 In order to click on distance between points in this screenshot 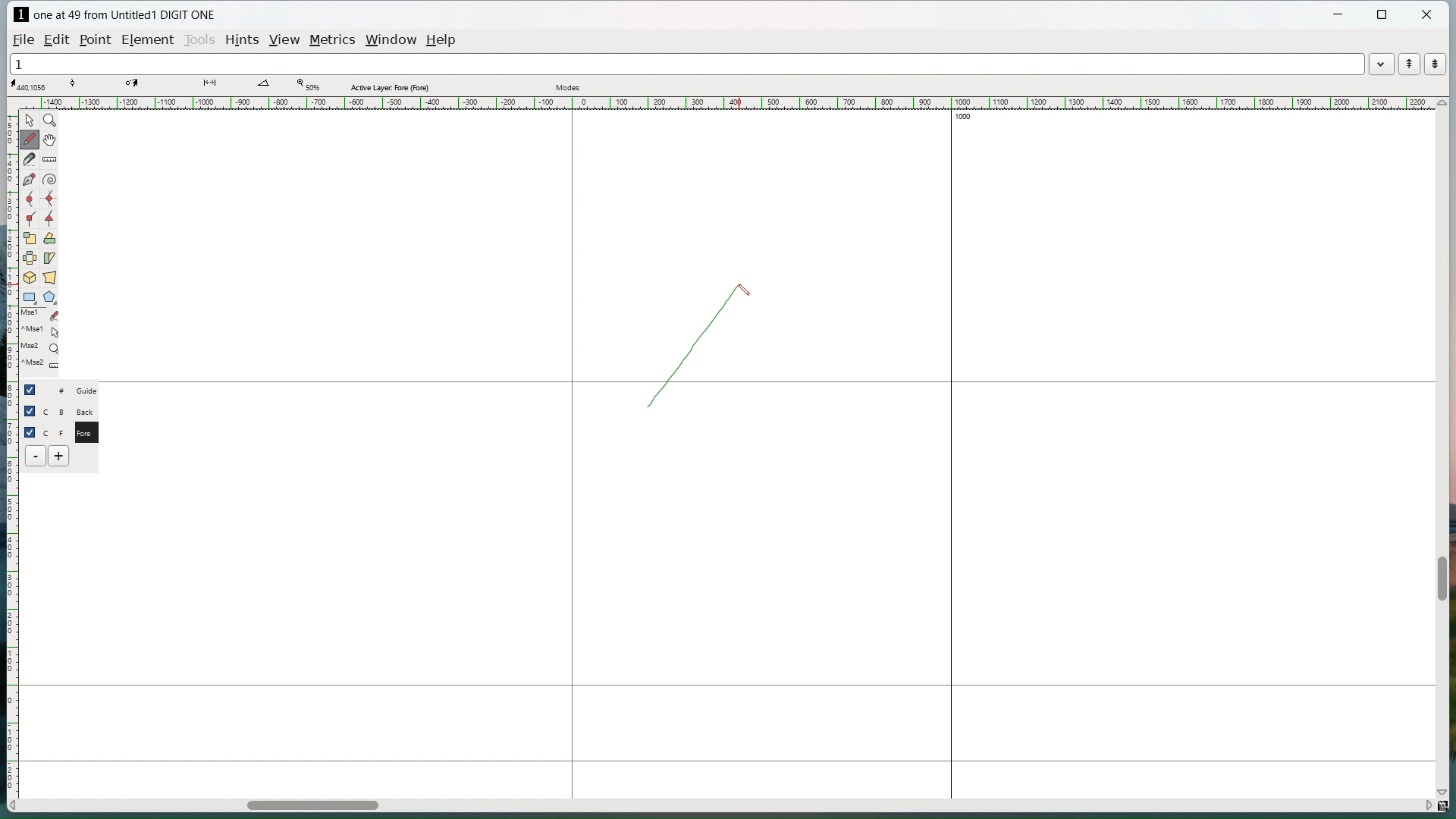, I will do `click(209, 83)`.